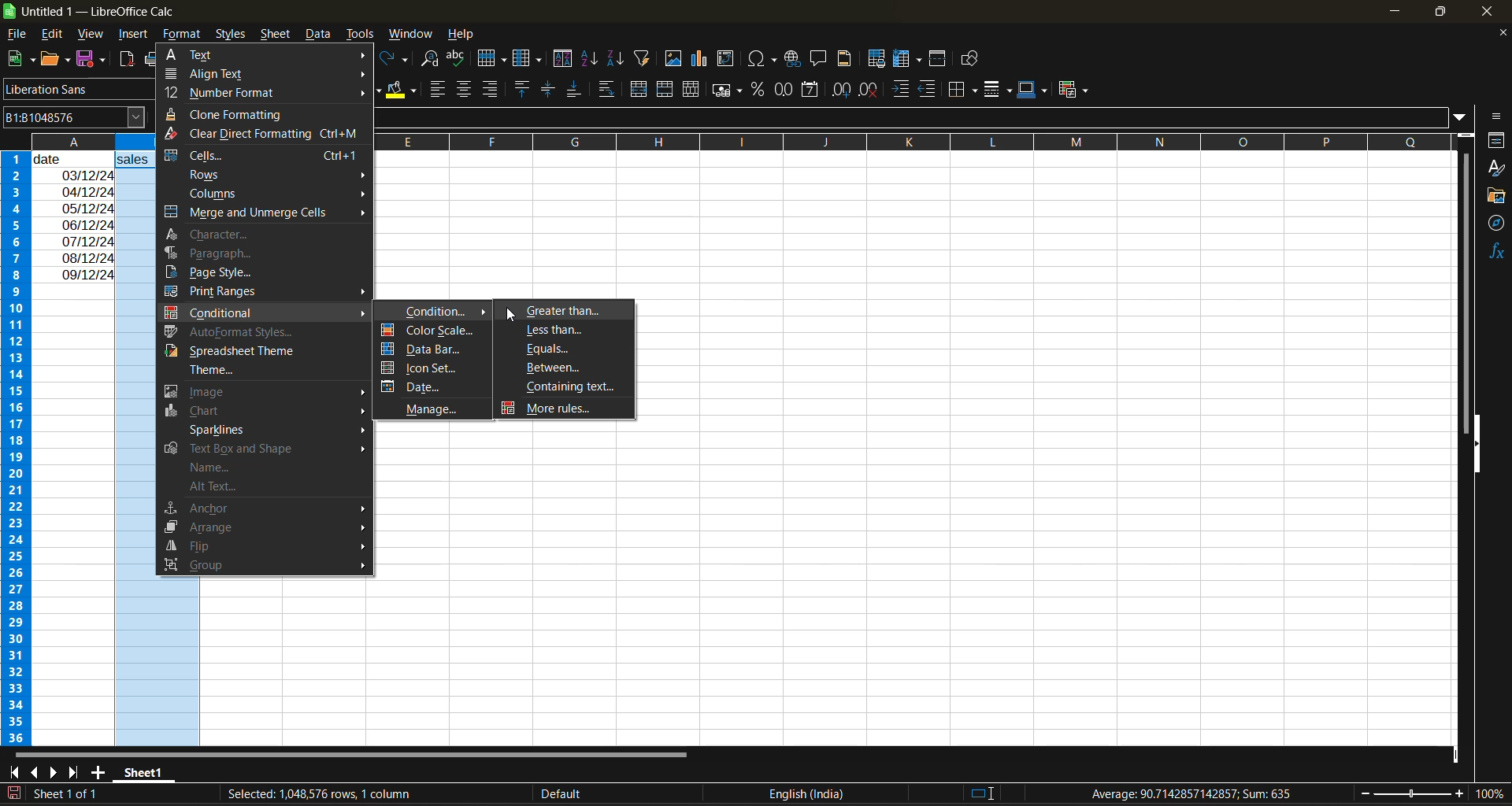 This screenshot has width=1512, height=806. I want to click on insert chart, so click(704, 60).